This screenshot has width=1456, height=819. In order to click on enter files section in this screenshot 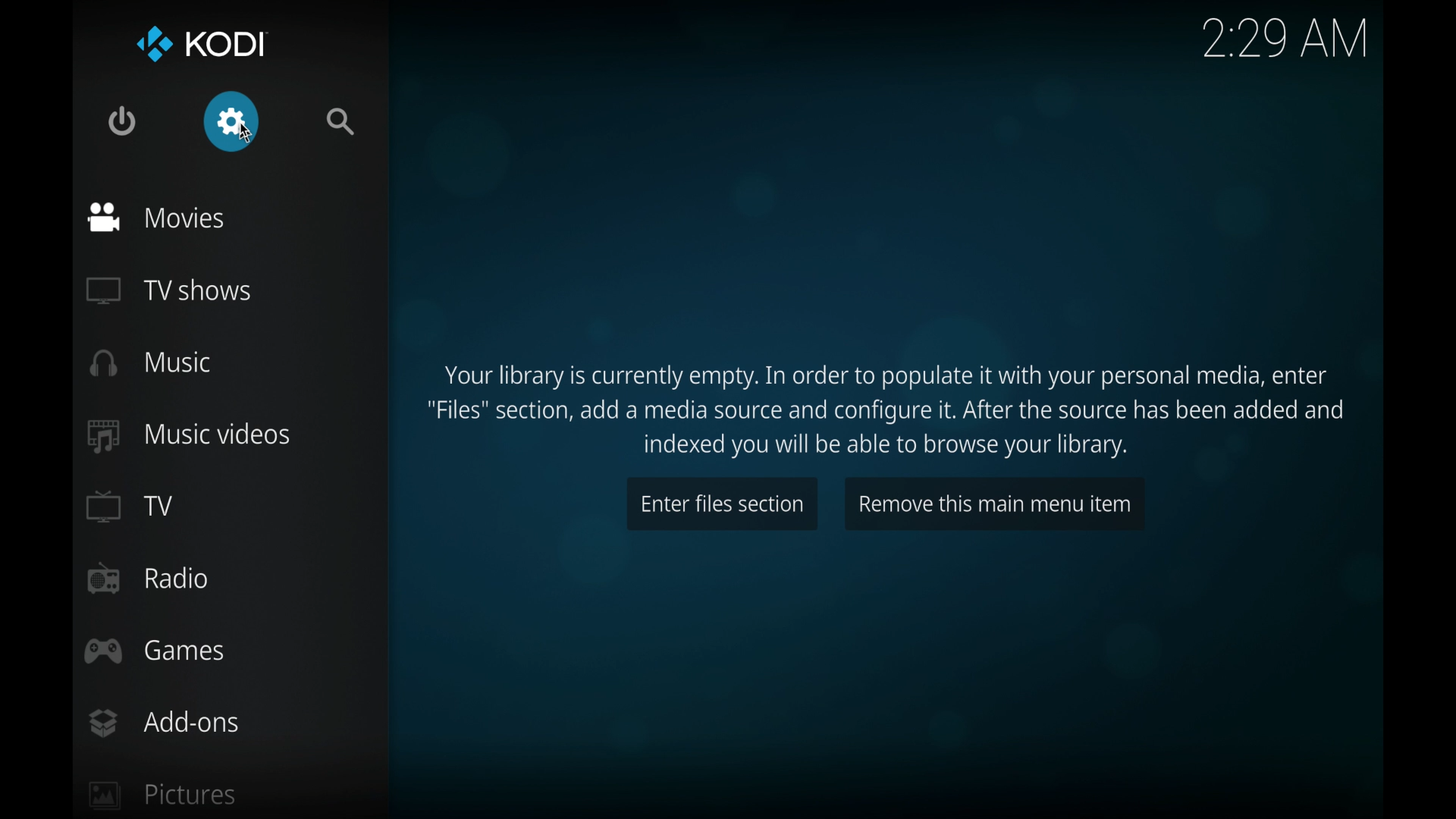, I will do `click(720, 504)`.